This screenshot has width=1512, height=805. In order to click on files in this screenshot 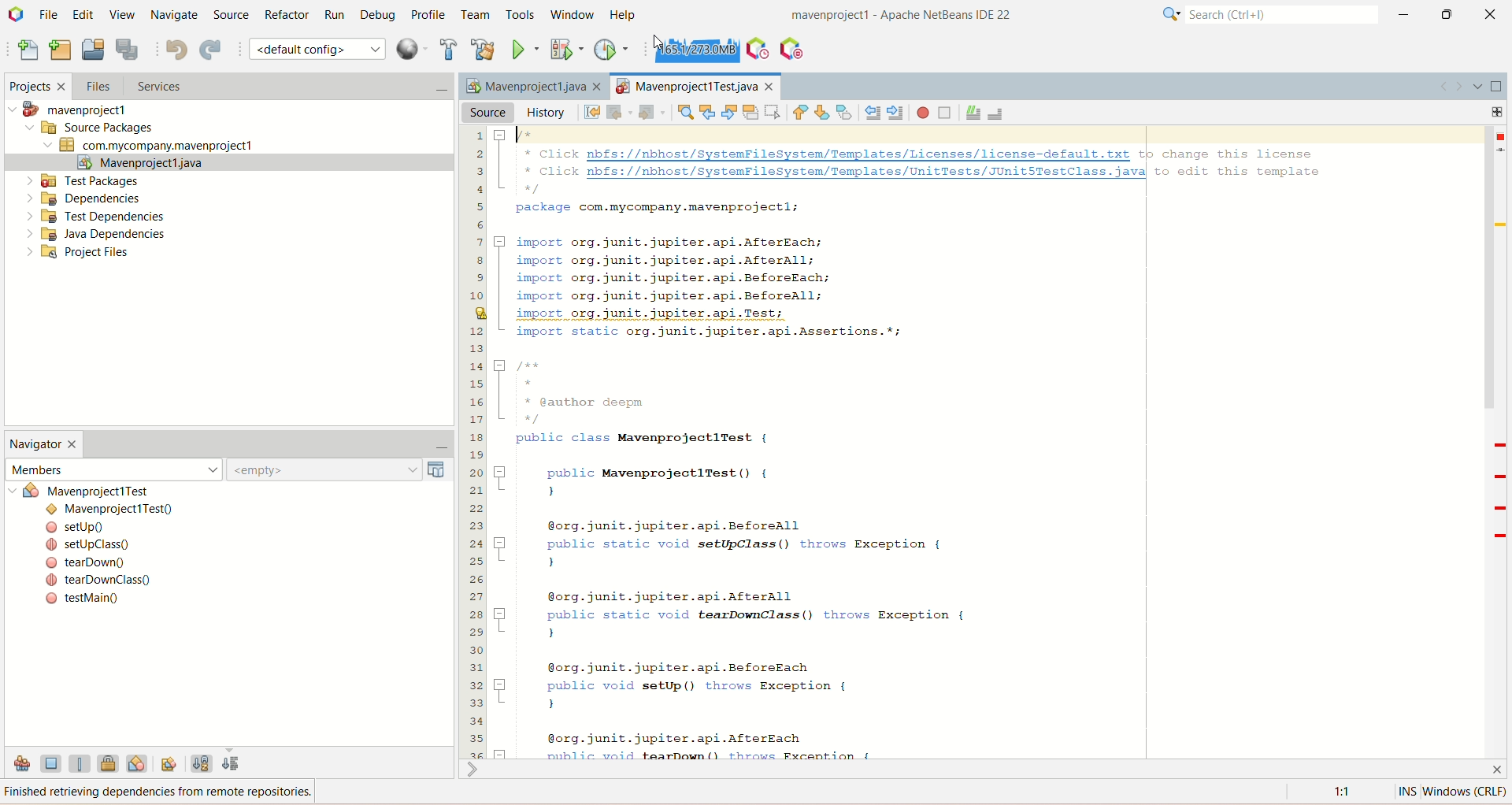, I will do `click(95, 87)`.